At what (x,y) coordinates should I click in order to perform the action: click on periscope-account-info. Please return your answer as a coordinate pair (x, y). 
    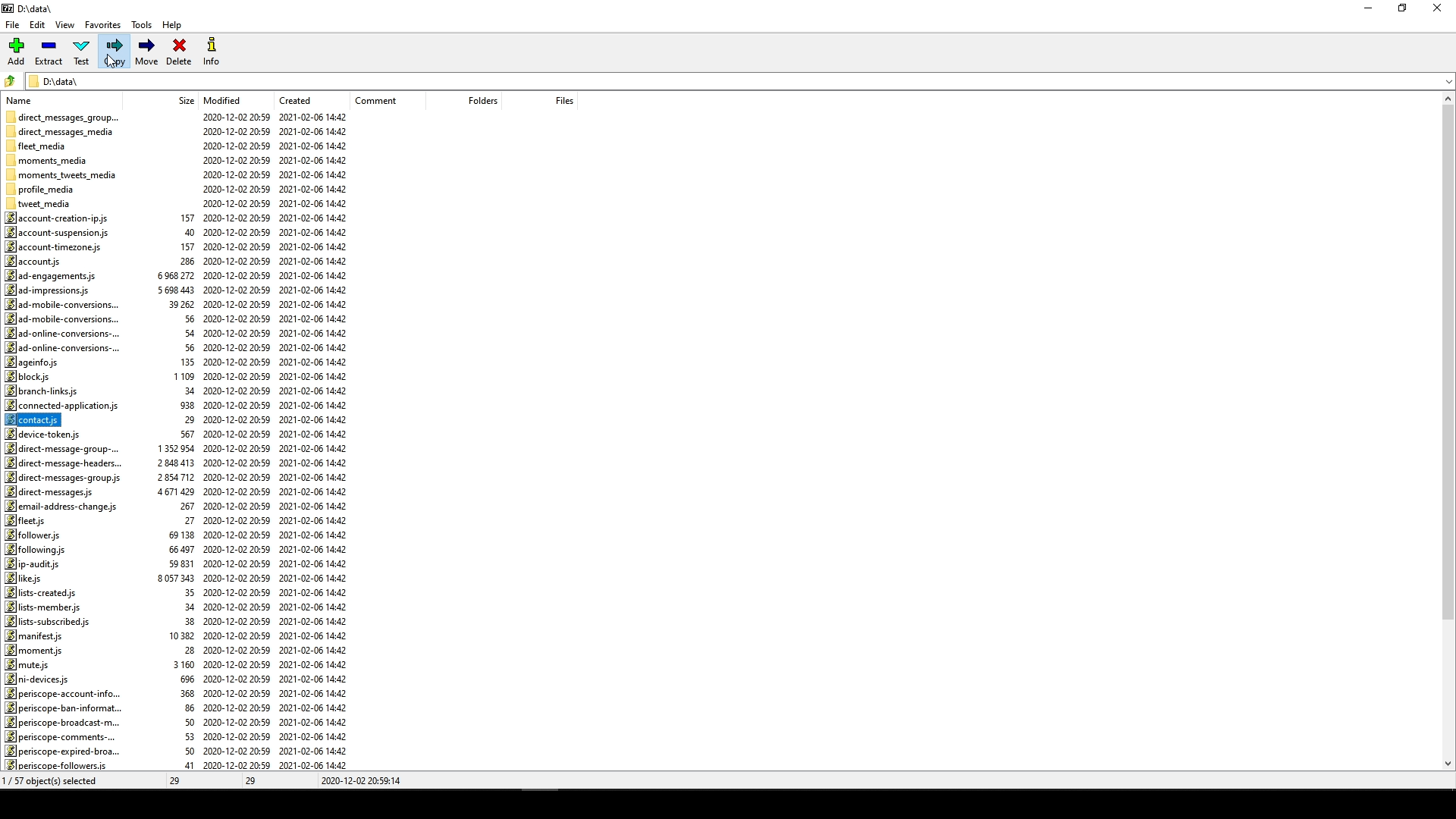
    Looking at the image, I should click on (67, 692).